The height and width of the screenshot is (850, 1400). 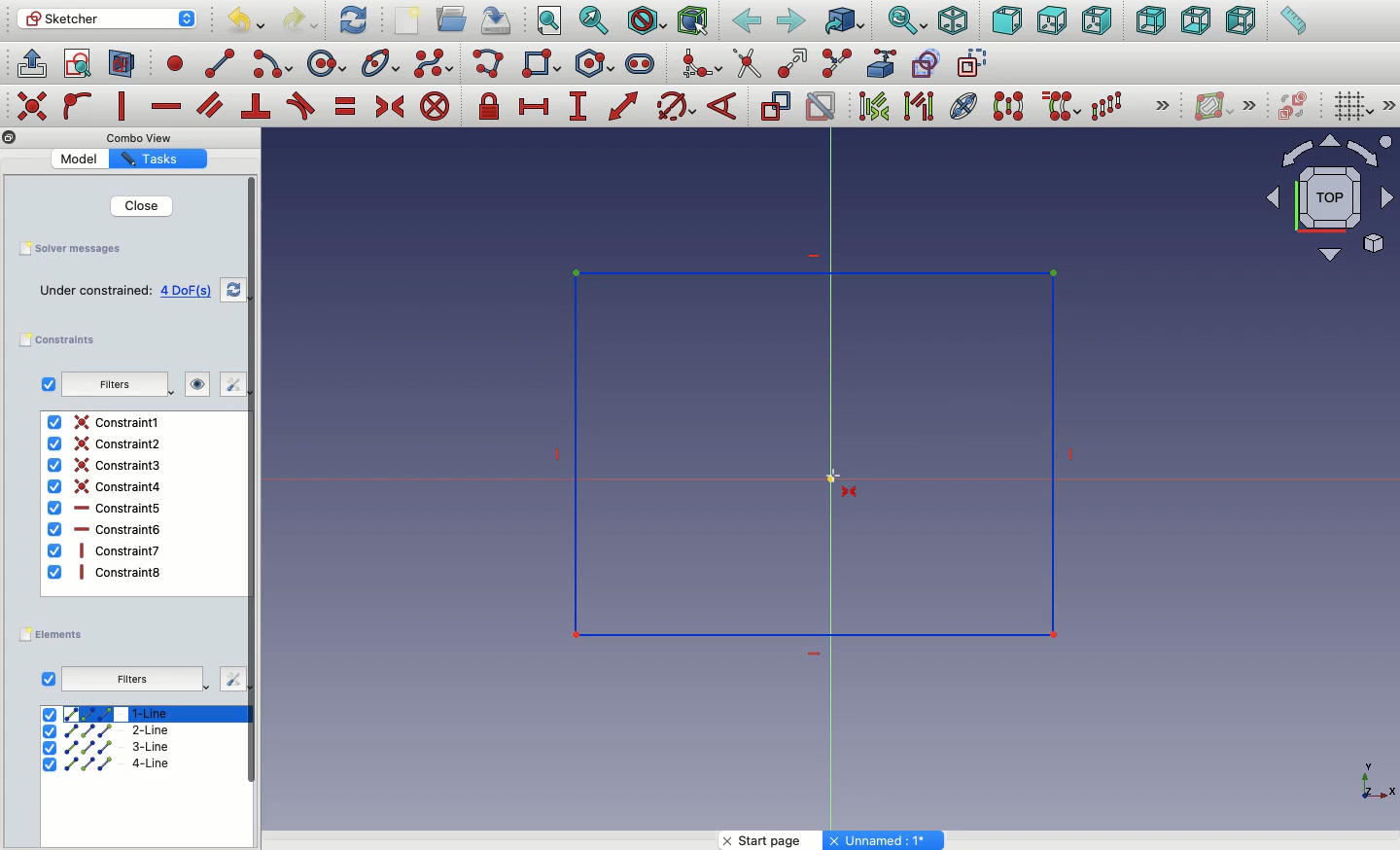 I want to click on leave sketch, so click(x=30, y=62).